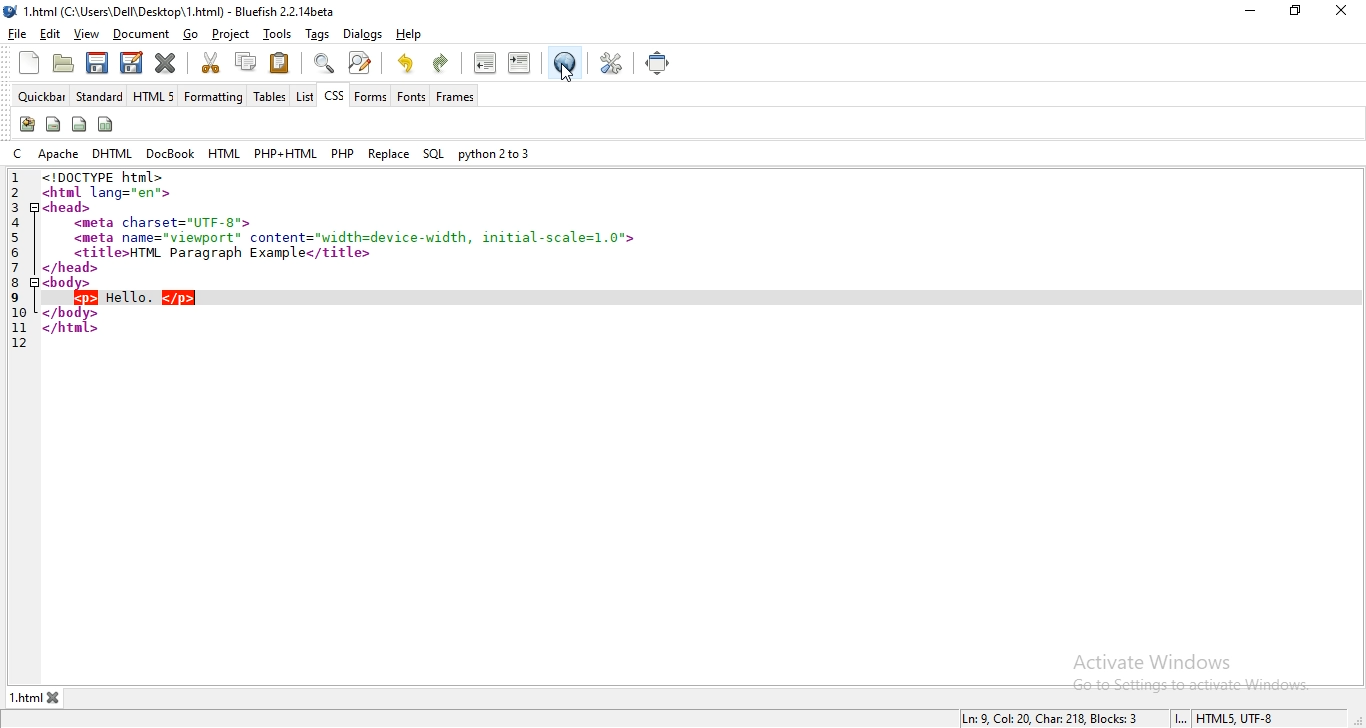 Image resolution: width=1366 pixels, height=728 pixels. Describe the element at coordinates (278, 33) in the screenshot. I see `tools` at that location.